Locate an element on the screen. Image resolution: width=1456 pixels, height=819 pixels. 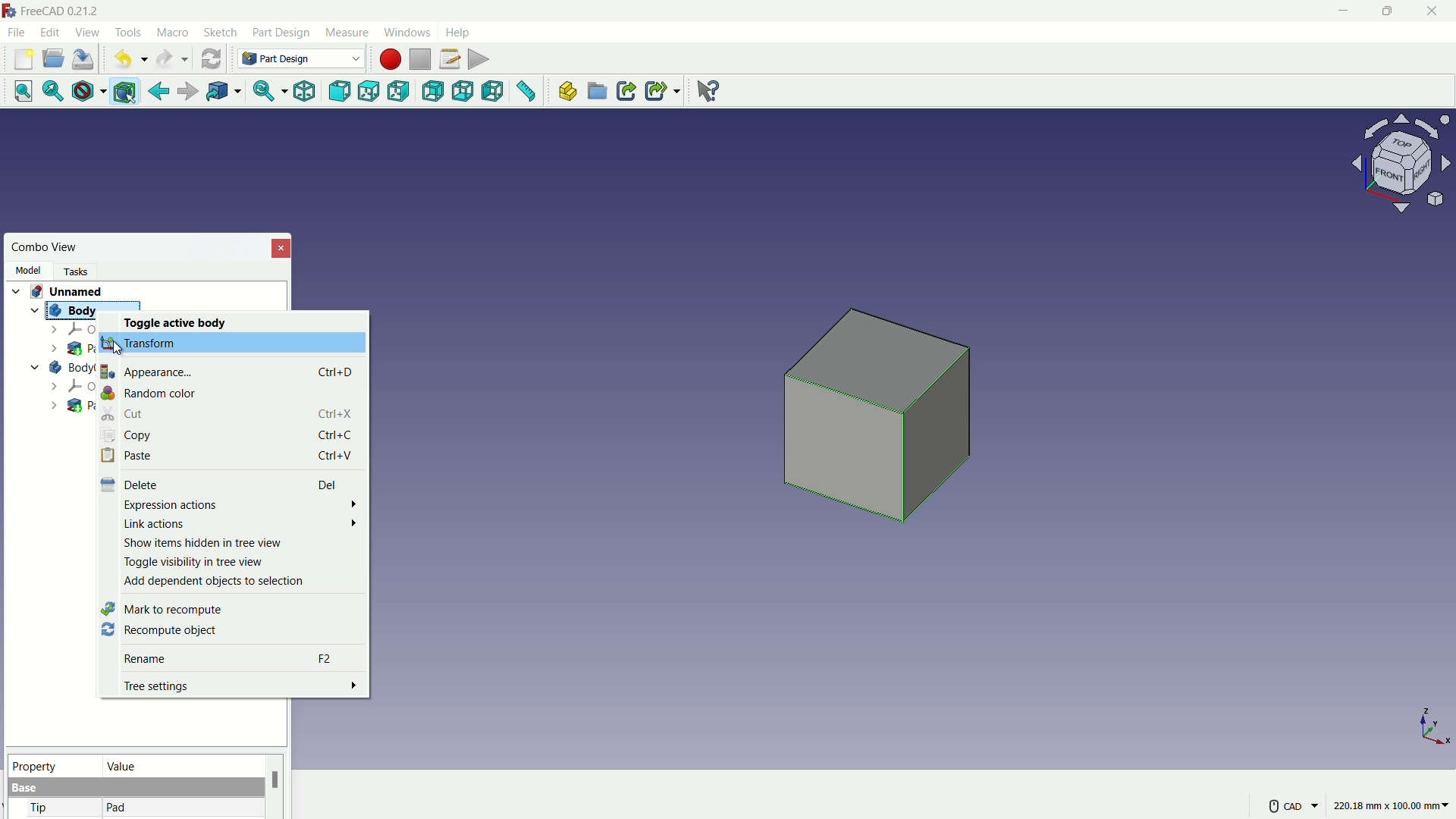
preset viewpoint is located at coordinates (1406, 171).